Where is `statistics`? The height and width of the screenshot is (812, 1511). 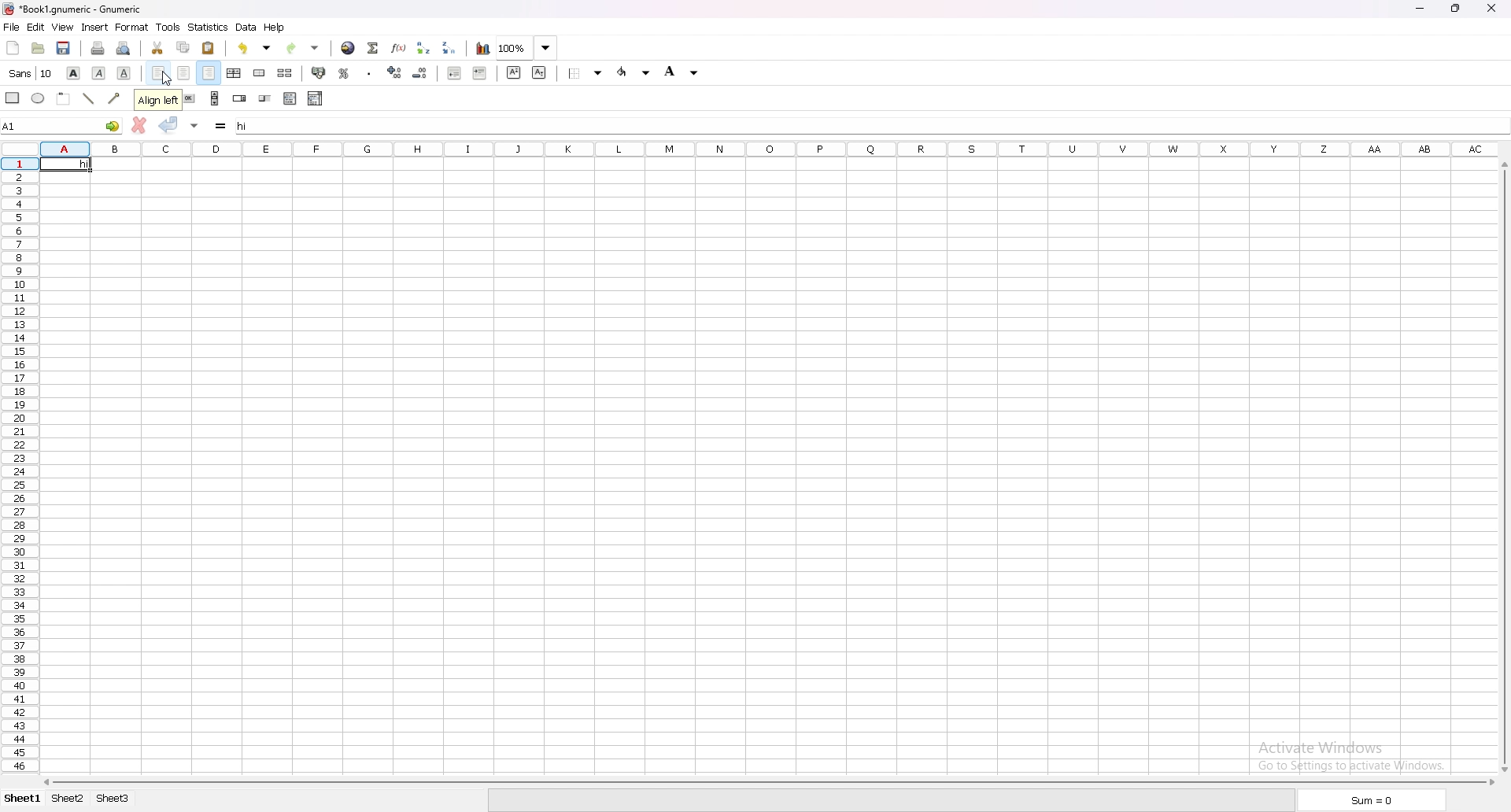
statistics is located at coordinates (208, 27).